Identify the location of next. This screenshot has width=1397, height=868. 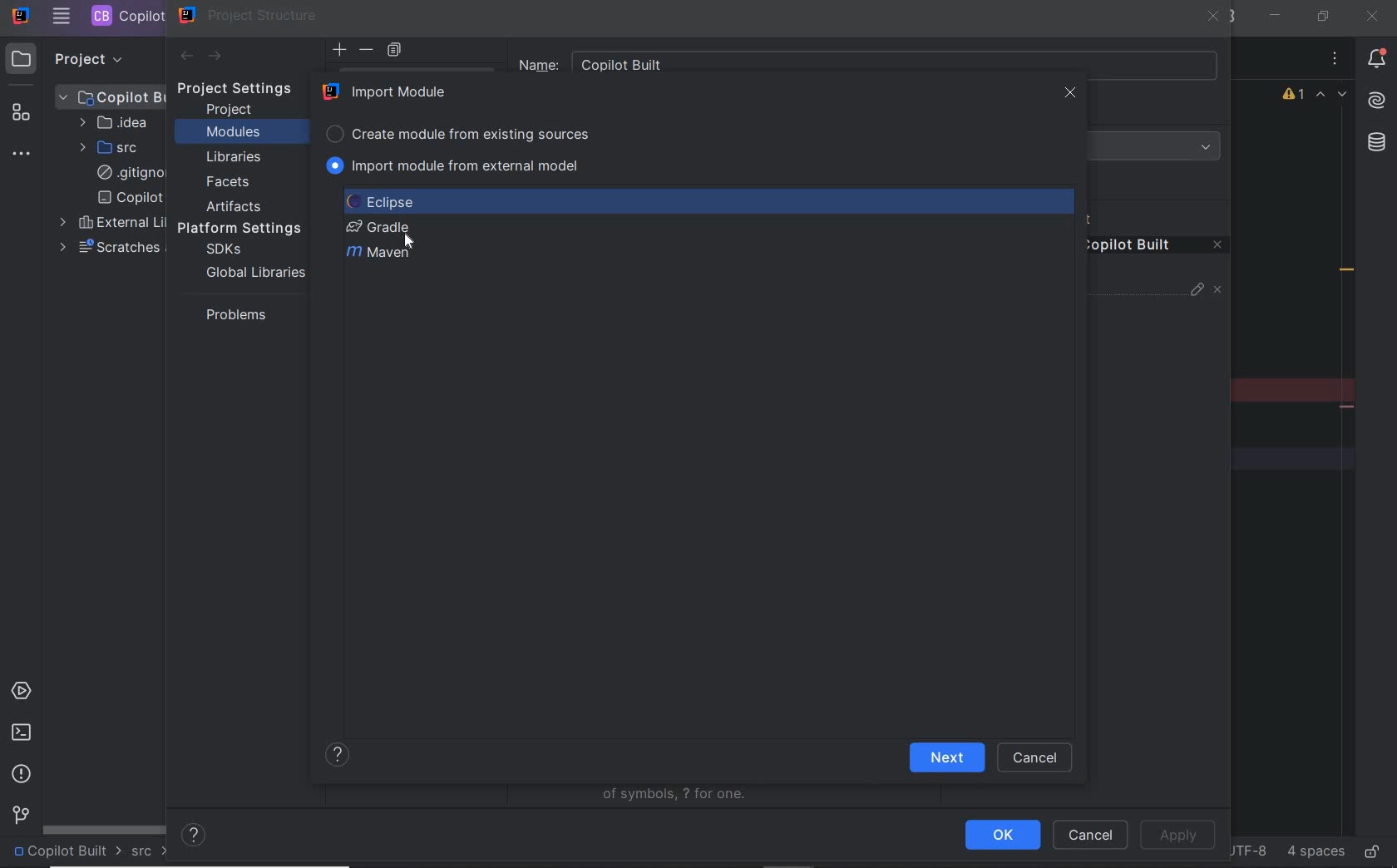
(947, 757).